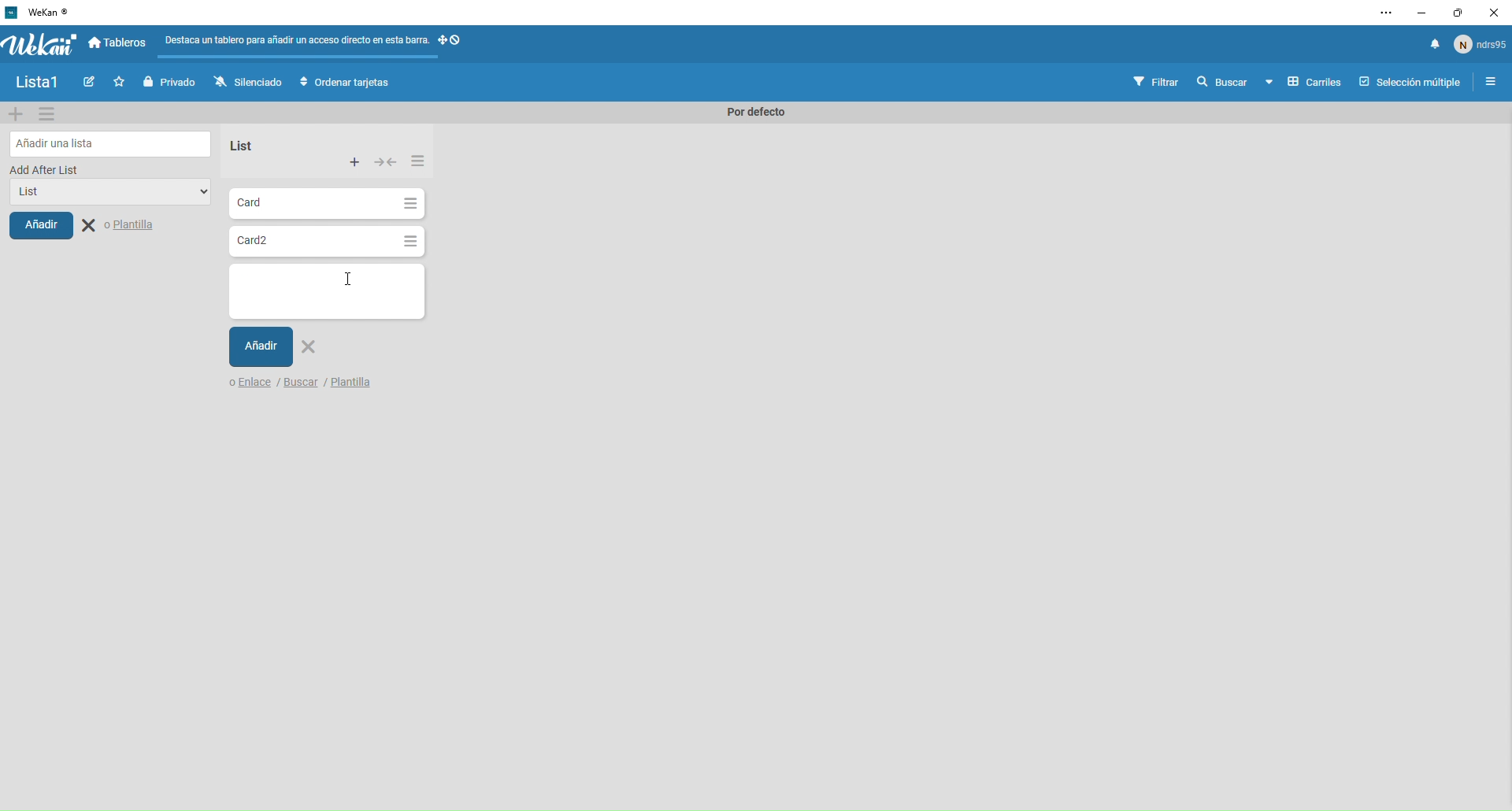 This screenshot has width=1512, height=811. What do you see at coordinates (172, 82) in the screenshot?
I see `Private` at bounding box center [172, 82].